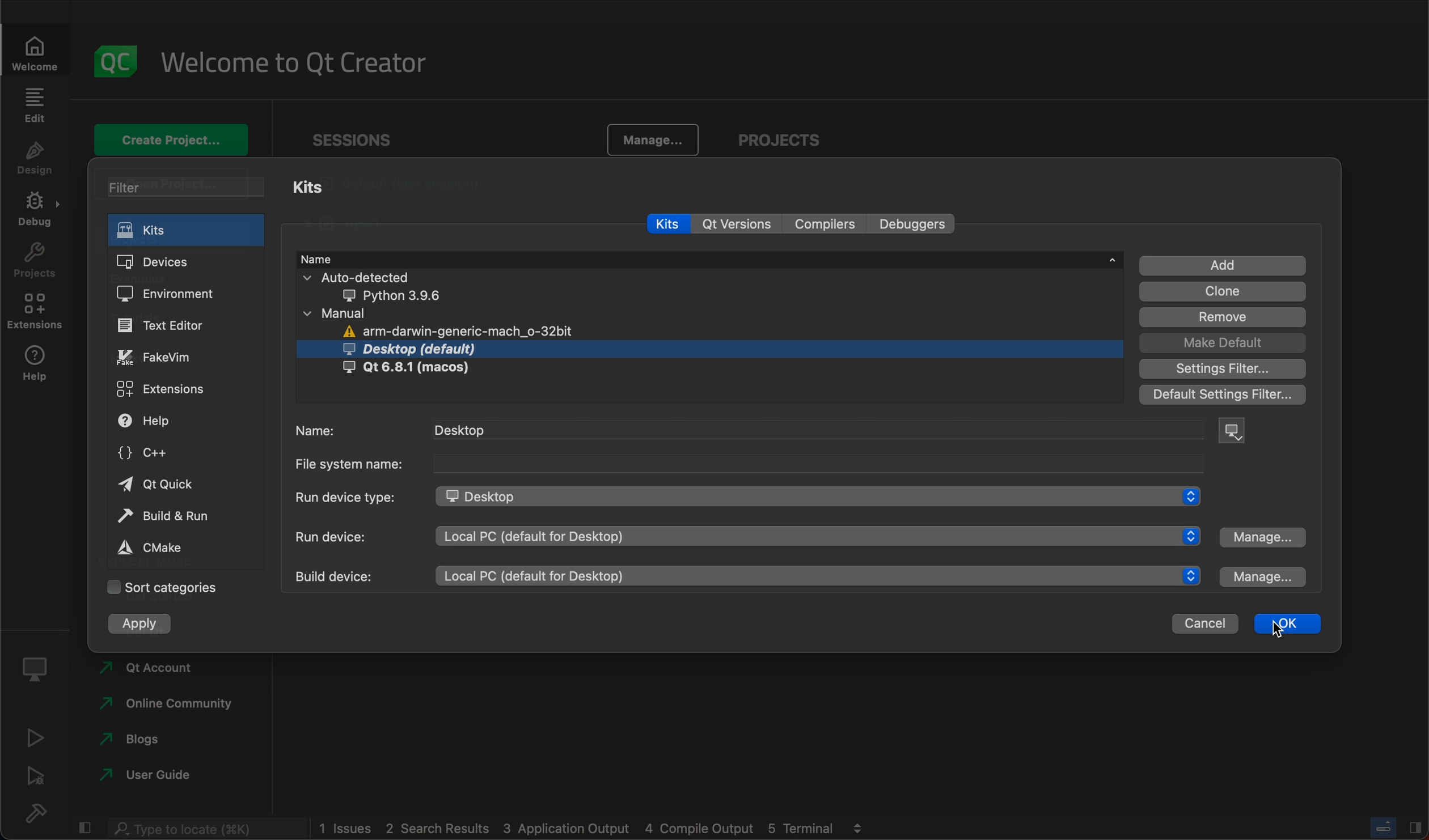 Image resolution: width=1429 pixels, height=840 pixels. What do you see at coordinates (162, 455) in the screenshot?
I see `c++` at bounding box center [162, 455].